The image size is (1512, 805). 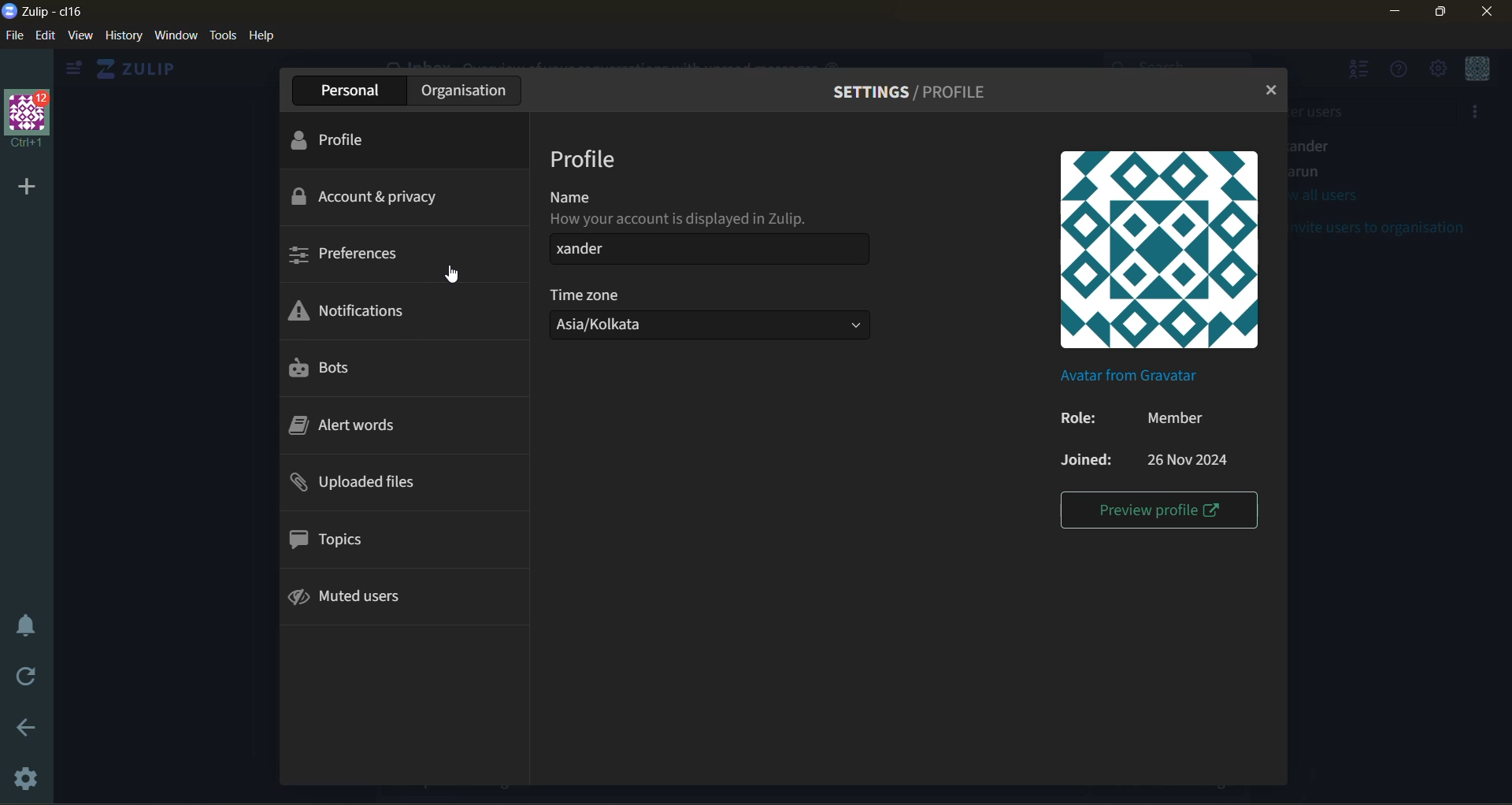 What do you see at coordinates (73, 69) in the screenshot?
I see `show left side bar` at bounding box center [73, 69].